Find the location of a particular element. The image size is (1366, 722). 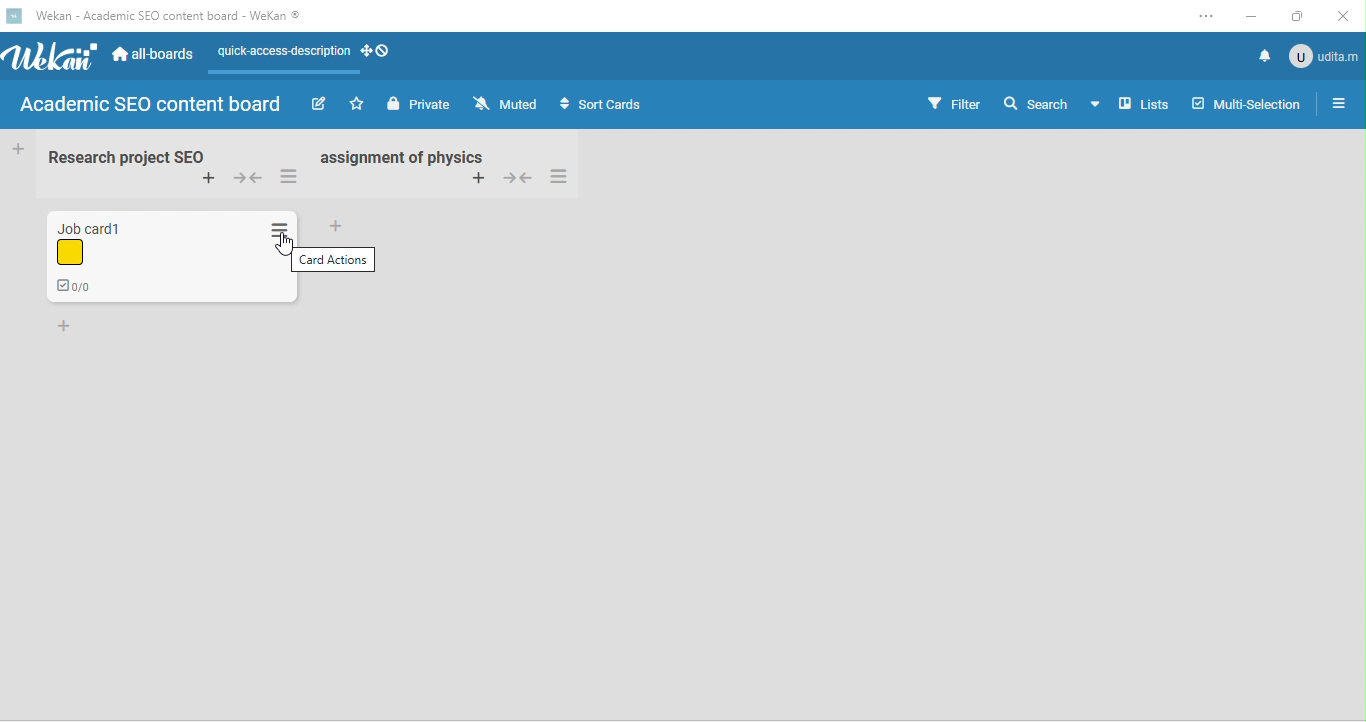

list name is located at coordinates (415, 158).